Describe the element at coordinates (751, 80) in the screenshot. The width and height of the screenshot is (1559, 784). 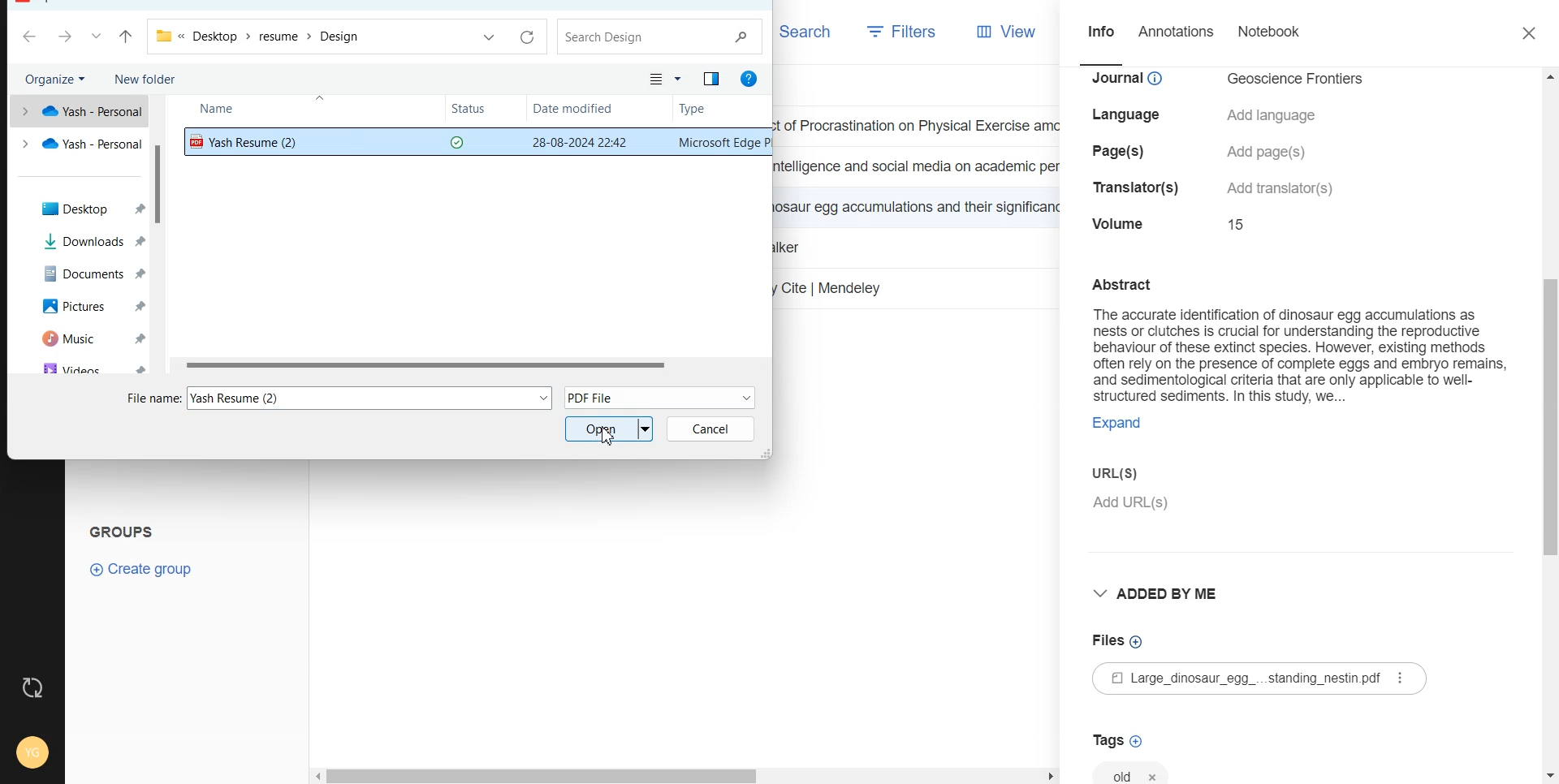
I see `Get Help` at that location.